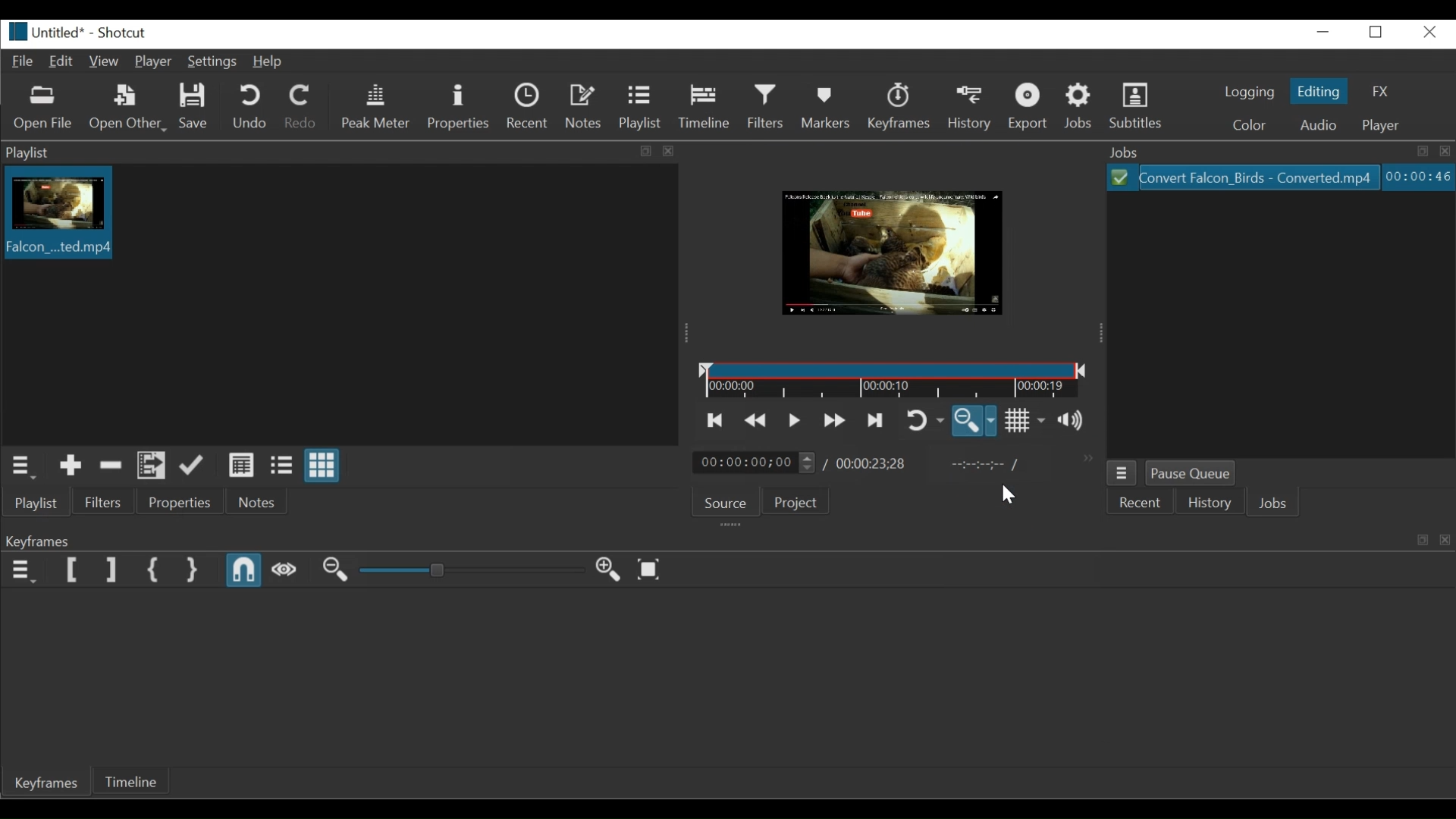 The width and height of the screenshot is (1456, 819). Describe the element at coordinates (45, 782) in the screenshot. I see `Keyframes` at that location.